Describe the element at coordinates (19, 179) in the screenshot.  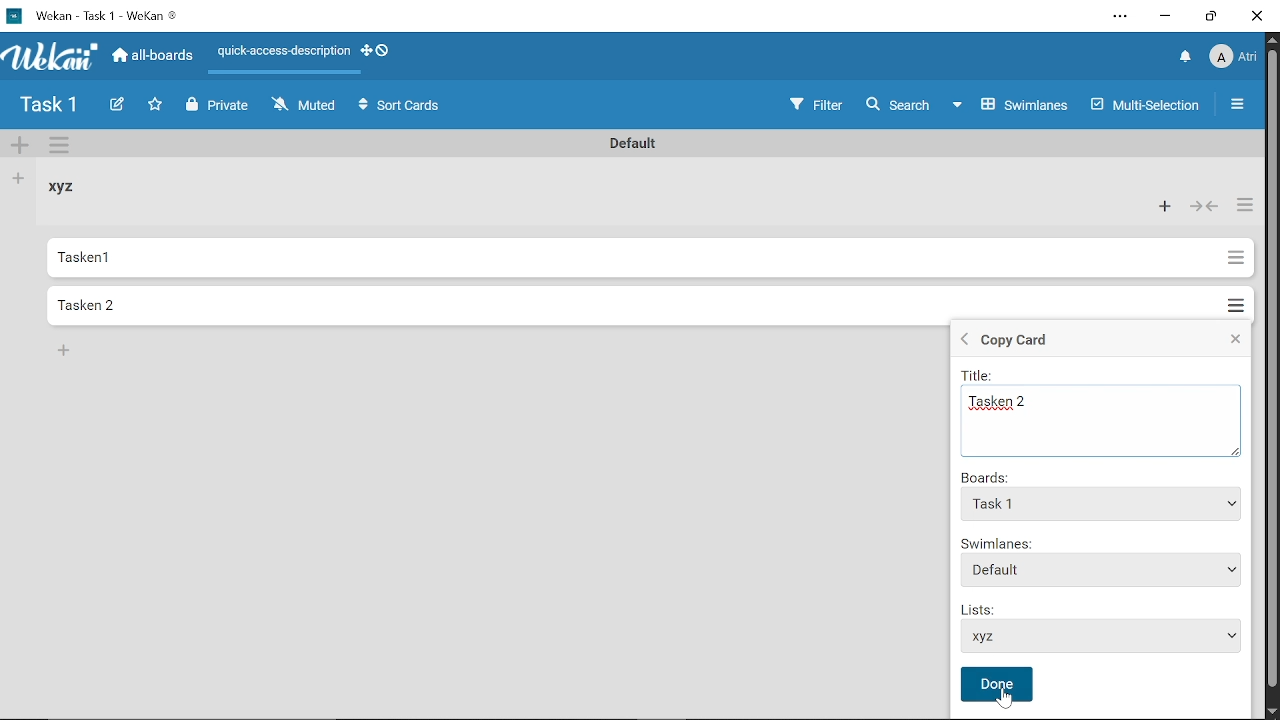
I see `Add list` at that location.